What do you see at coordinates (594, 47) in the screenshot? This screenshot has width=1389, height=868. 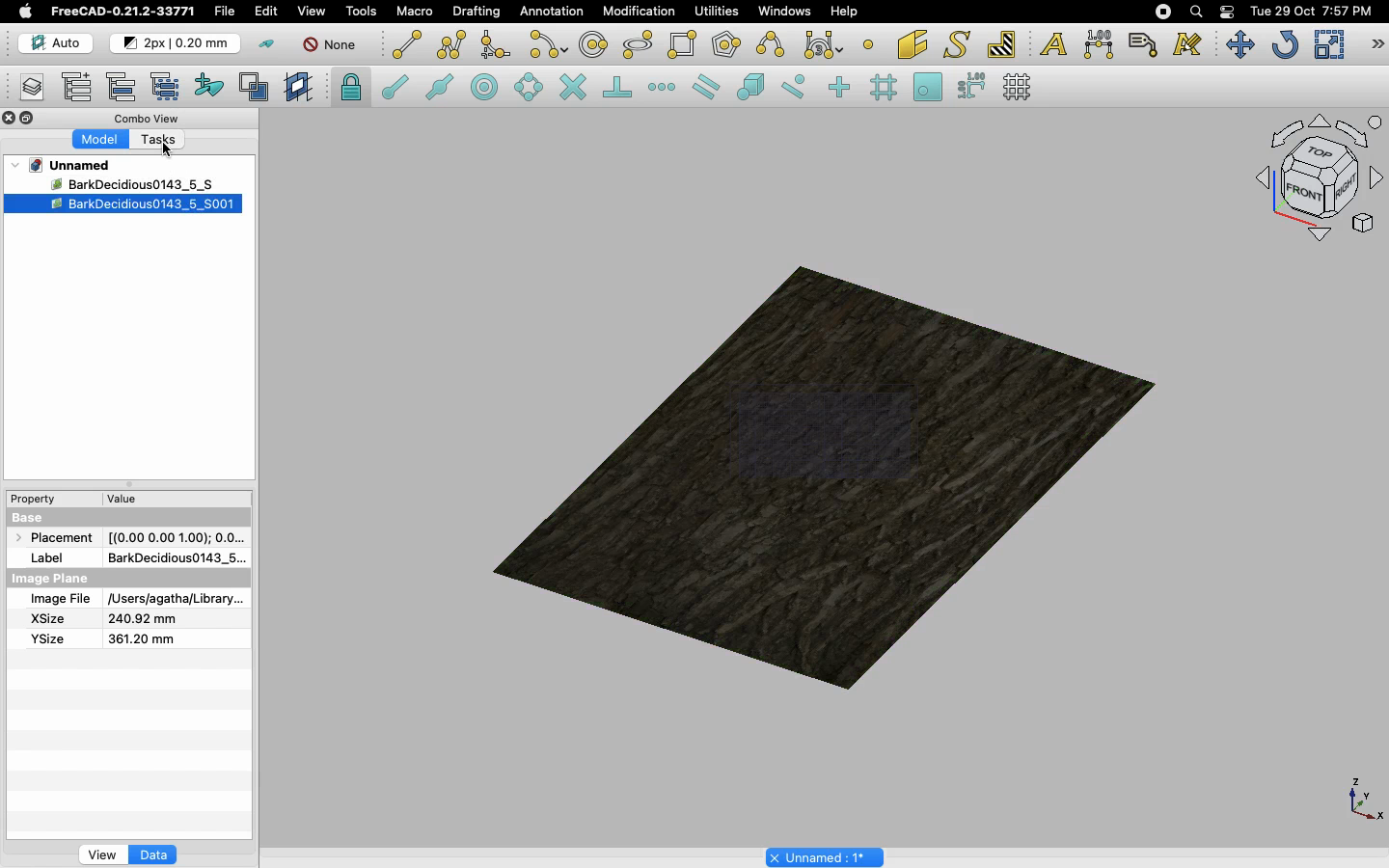 I see `Circle` at bounding box center [594, 47].